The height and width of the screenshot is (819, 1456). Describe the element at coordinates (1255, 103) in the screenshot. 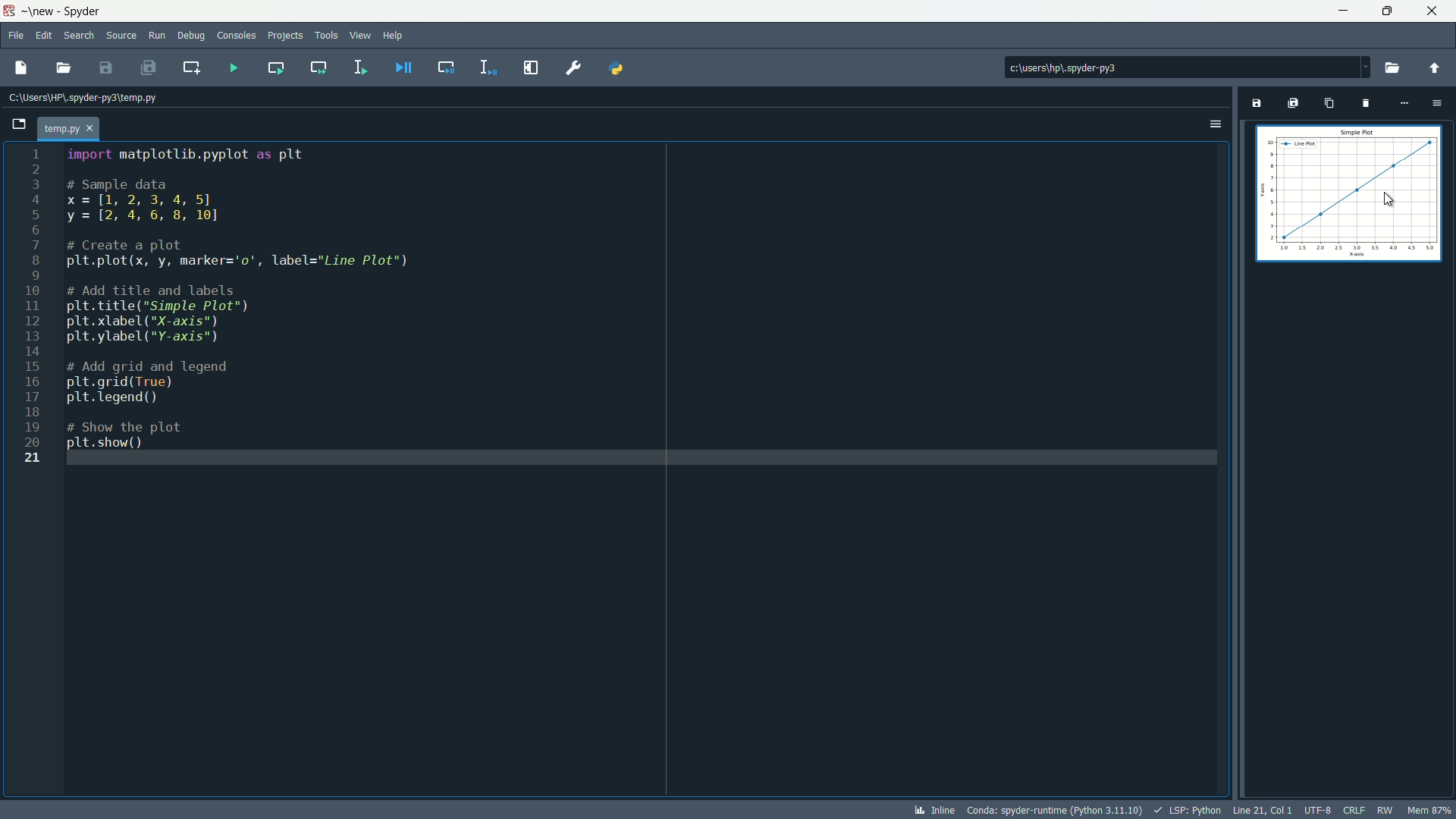

I see `save plot as` at that location.